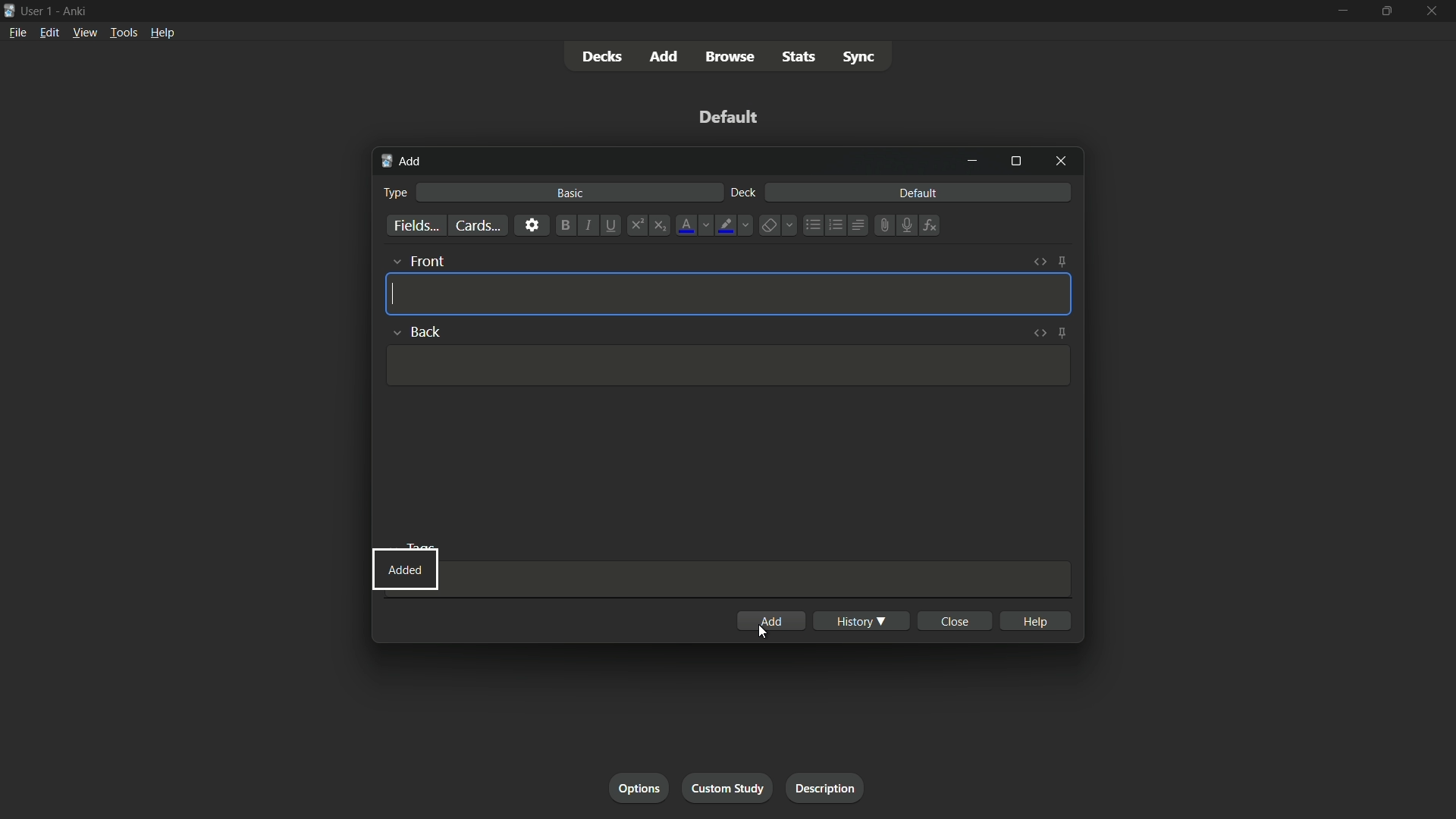  What do you see at coordinates (406, 568) in the screenshot?
I see `added` at bounding box center [406, 568].